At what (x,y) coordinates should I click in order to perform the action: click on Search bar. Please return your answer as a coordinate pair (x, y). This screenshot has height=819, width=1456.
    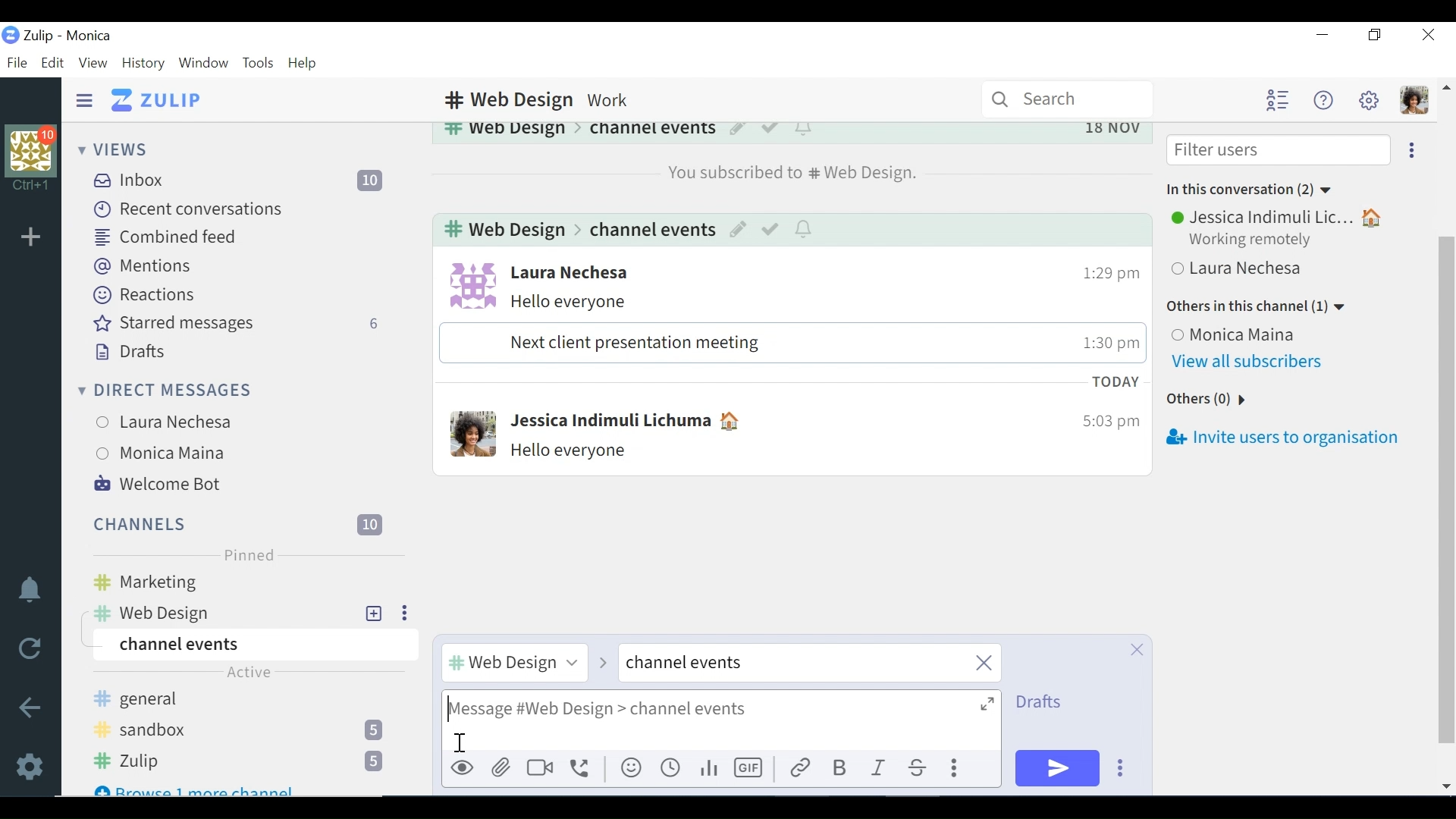
    Looking at the image, I should click on (1068, 99).